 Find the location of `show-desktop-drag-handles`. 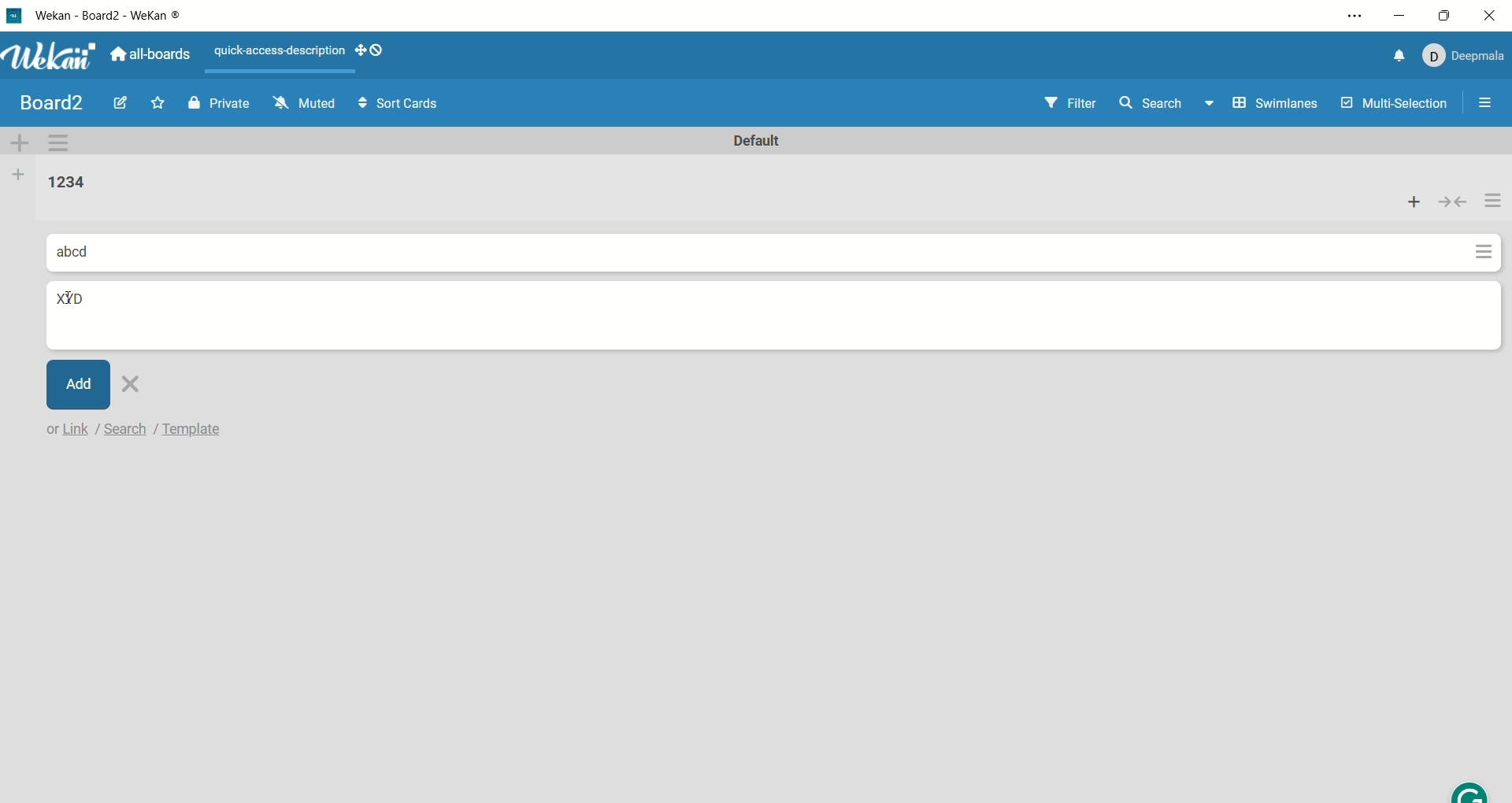

show-desktop-drag-handles is located at coordinates (361, 48).